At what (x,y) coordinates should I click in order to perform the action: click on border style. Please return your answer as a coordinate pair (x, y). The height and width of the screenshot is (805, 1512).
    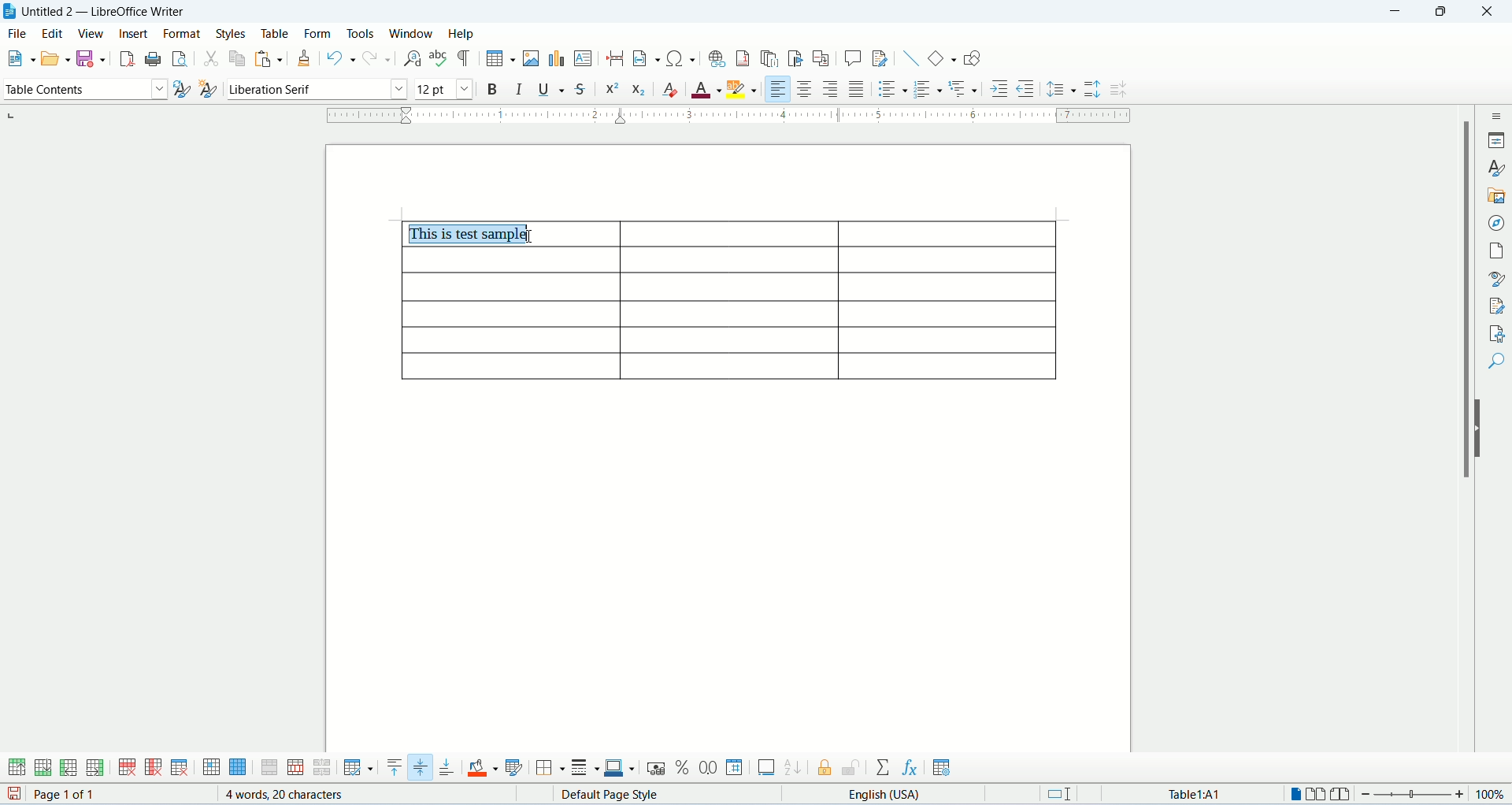
    Looking at the image, I should click on (586, 768).